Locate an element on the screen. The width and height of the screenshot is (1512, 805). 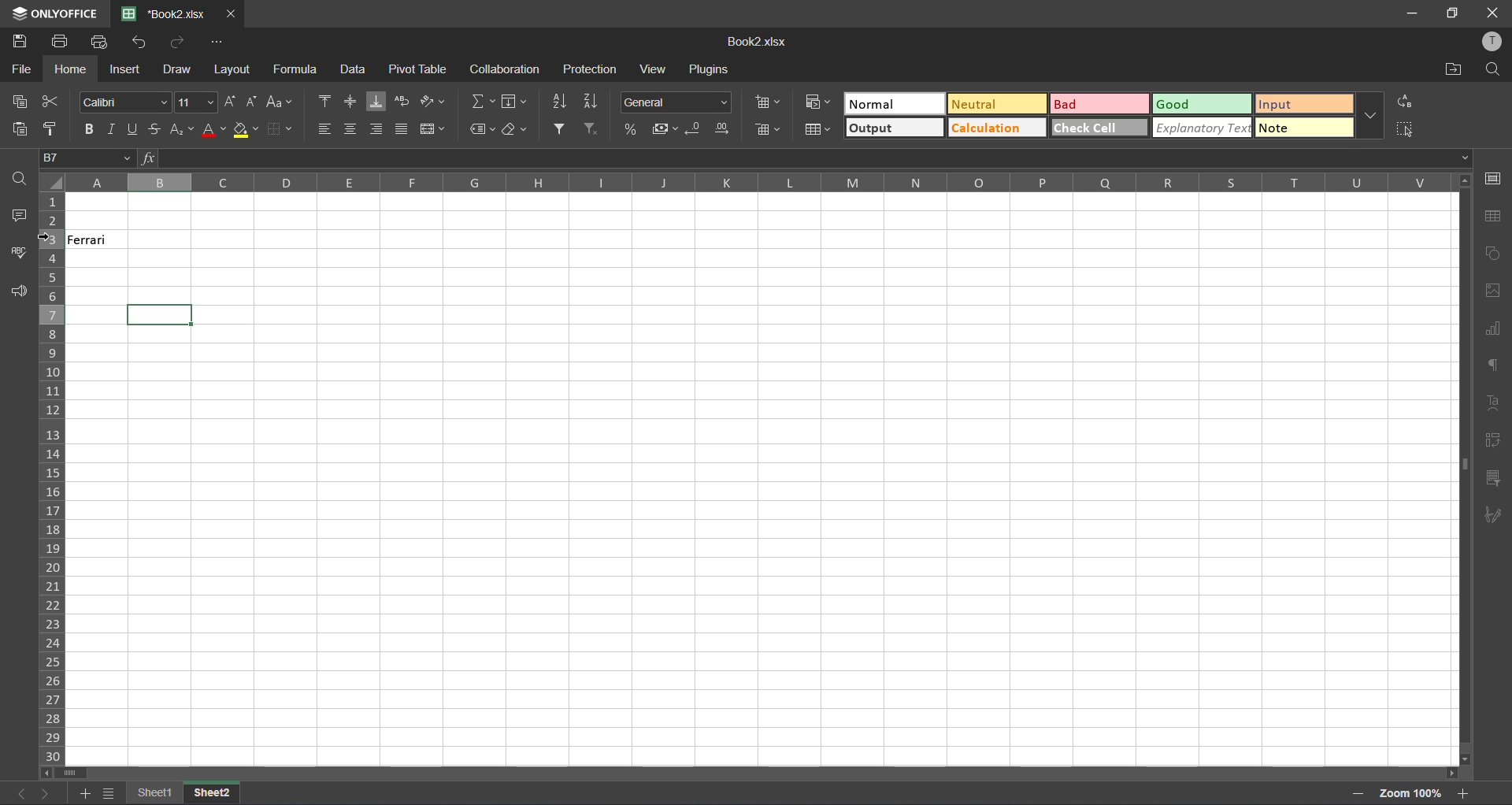
sort ascending  is located at coordinates (561, 102).